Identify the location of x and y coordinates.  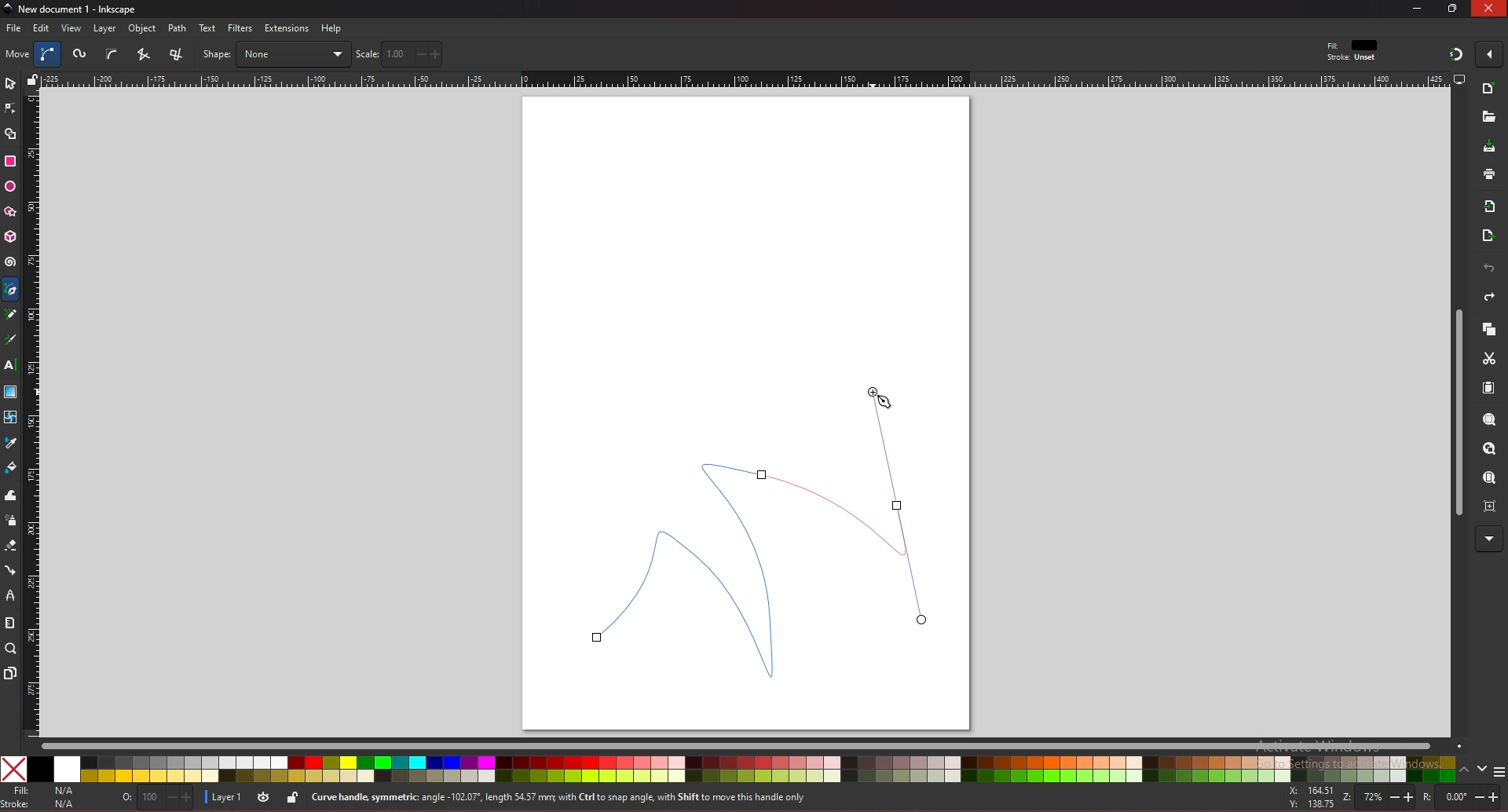
(1310, 797).